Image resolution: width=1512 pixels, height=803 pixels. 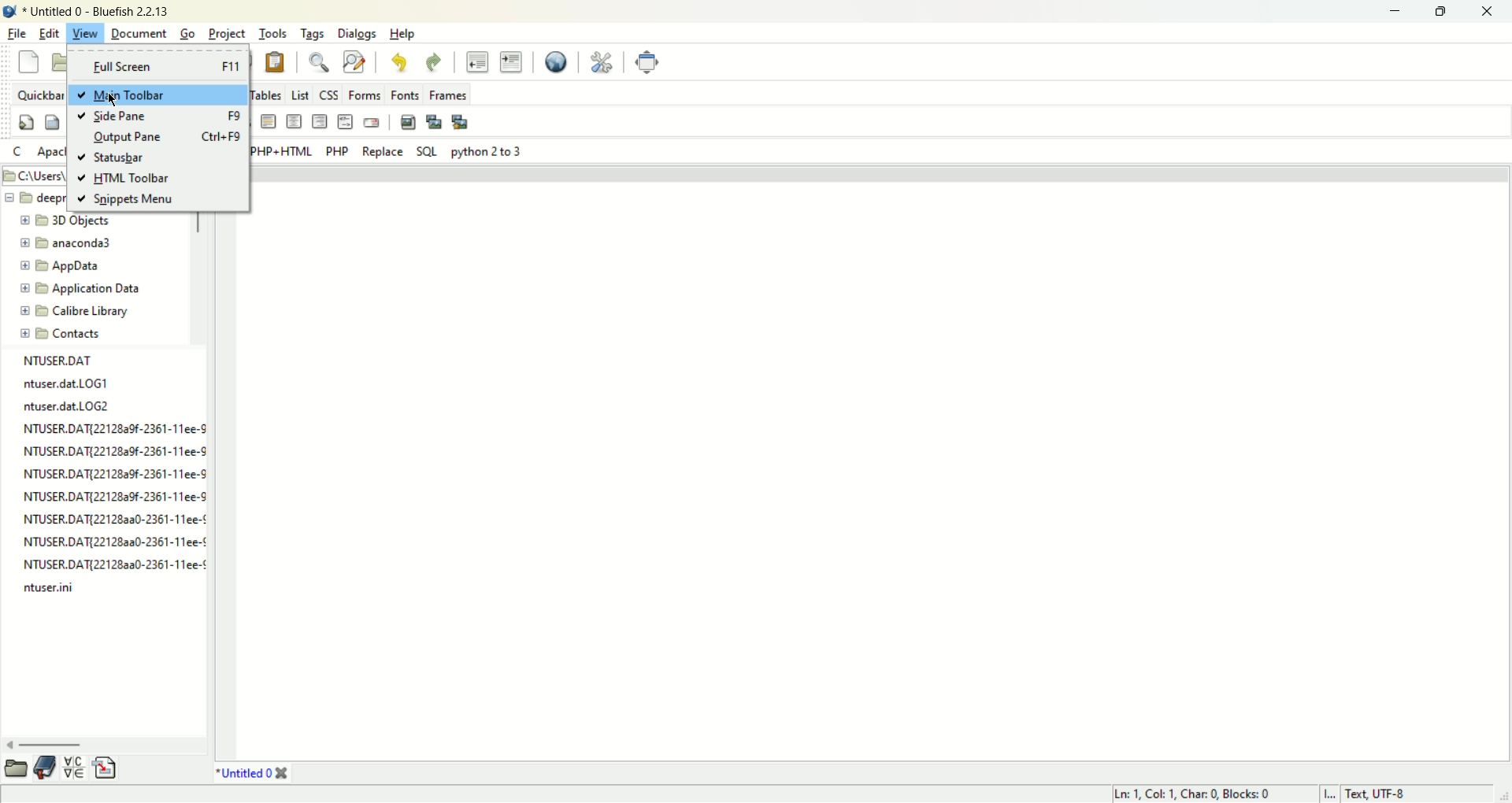 I want to click on tools, so click(x=274, y=32).